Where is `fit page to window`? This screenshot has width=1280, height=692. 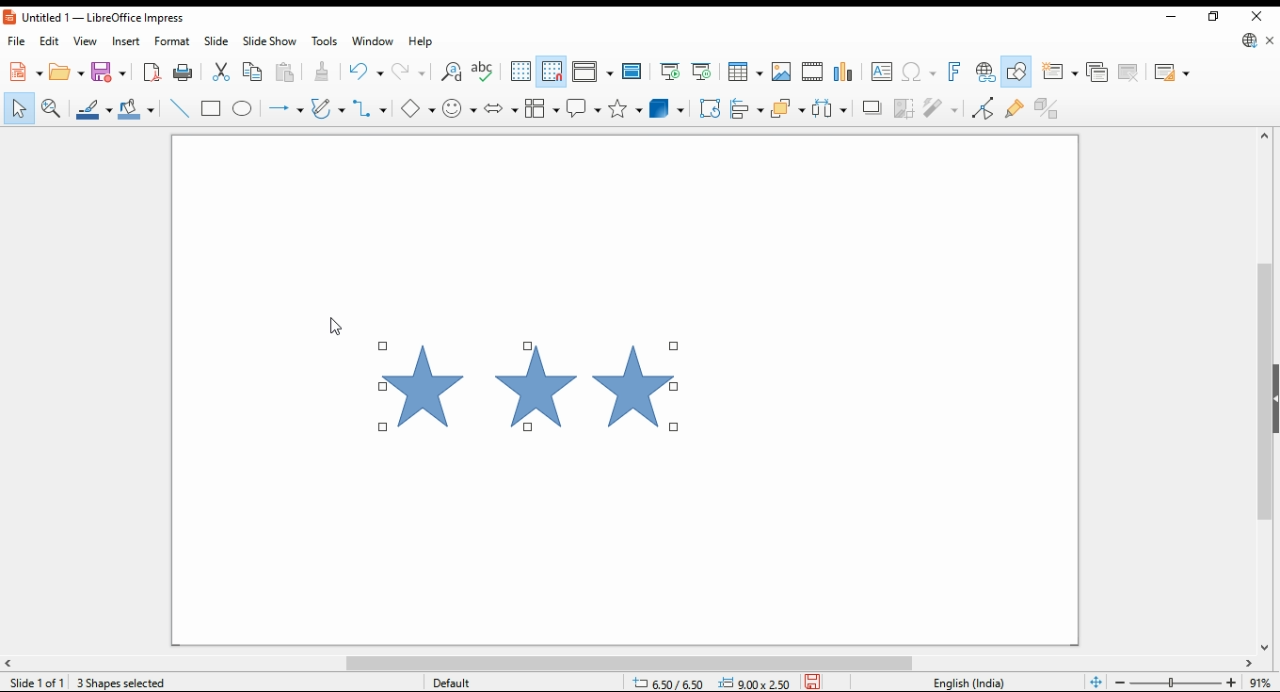 fit page to window is located at coordinates (1097, 681).